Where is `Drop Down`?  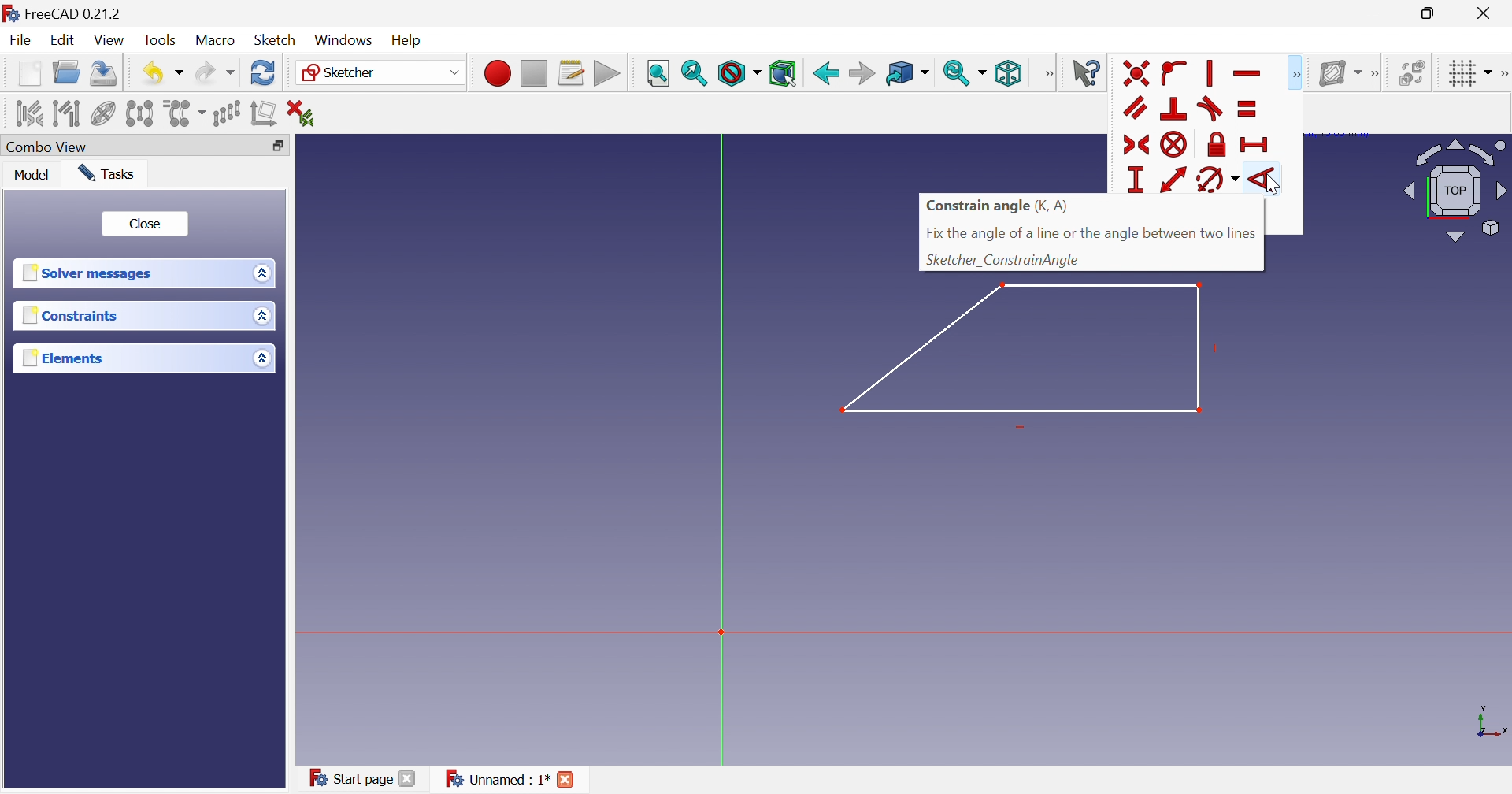
Drop Down is located at coordinates (985, 72).